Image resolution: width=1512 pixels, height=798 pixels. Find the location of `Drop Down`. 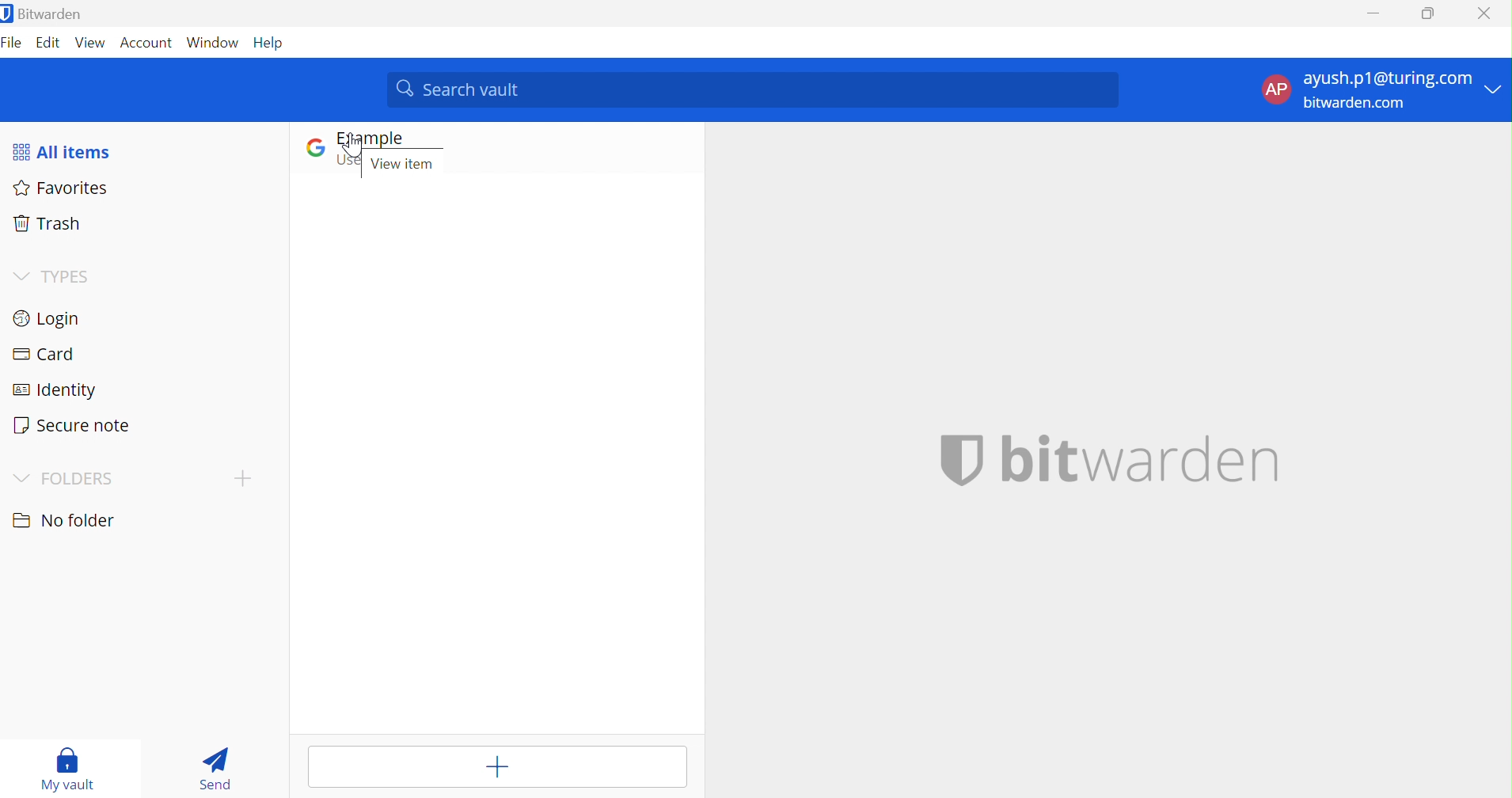

Drop Down is located at coordinates (20, 273).